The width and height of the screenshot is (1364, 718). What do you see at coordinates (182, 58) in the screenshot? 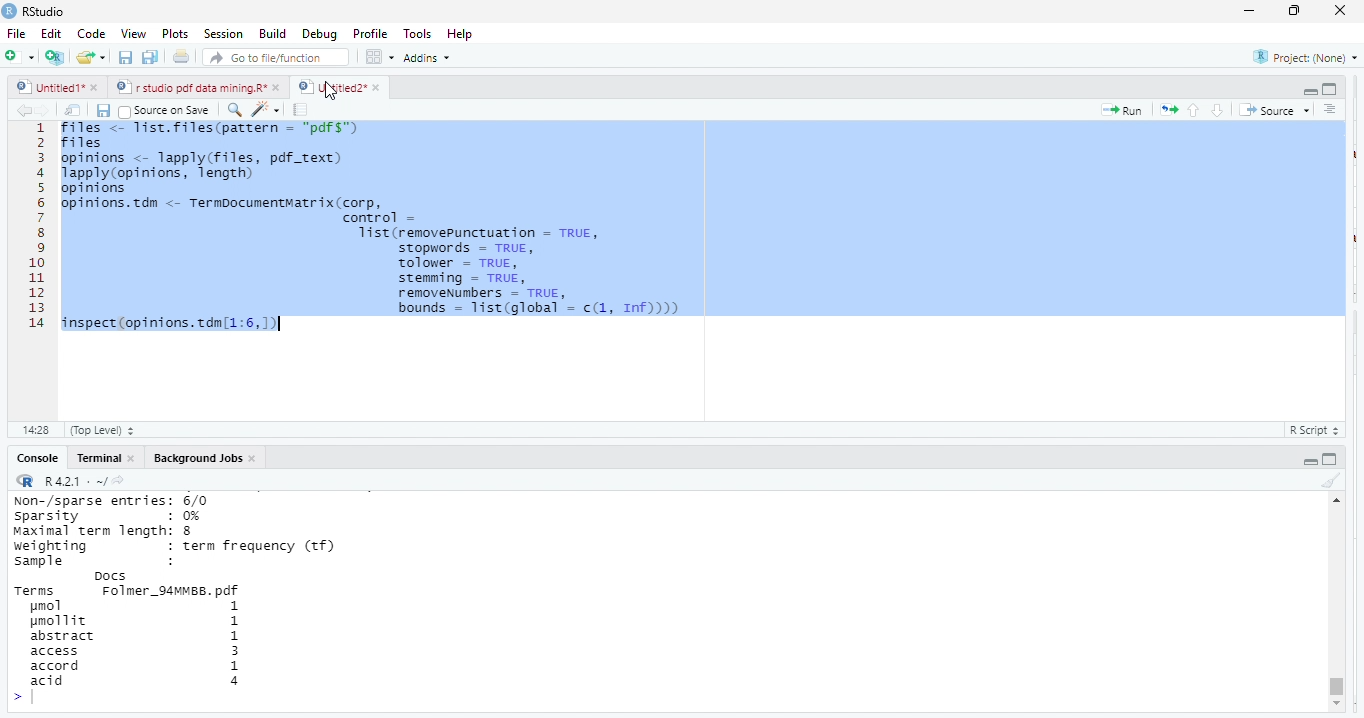
I see `print the current file` at bounding box center [182, 58].